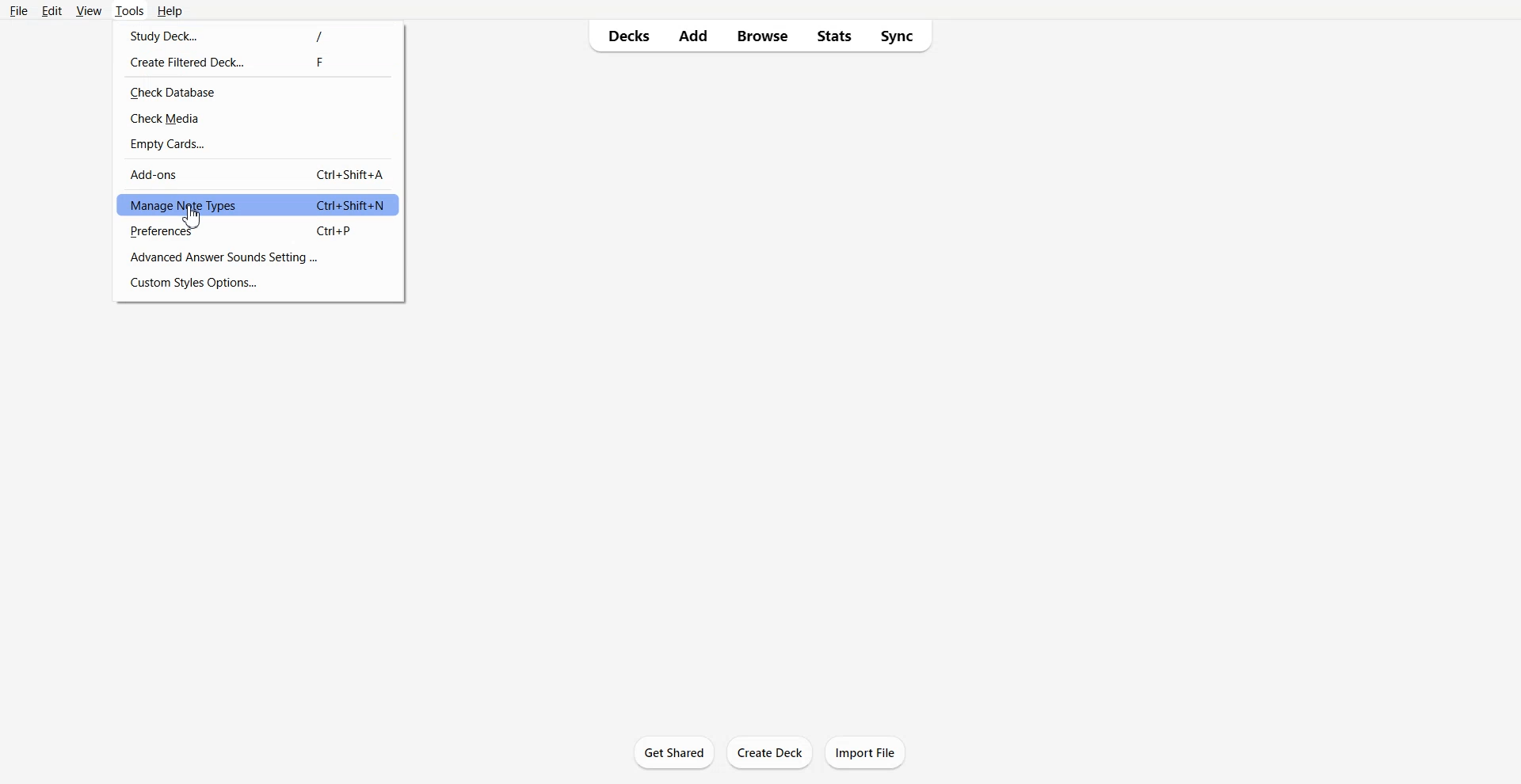 The width and height of the screenshot is (1521, 784). What do you see at coordinates (763, 36) in the screenshot?
I see `Browse` at bounding box center [763, 36].